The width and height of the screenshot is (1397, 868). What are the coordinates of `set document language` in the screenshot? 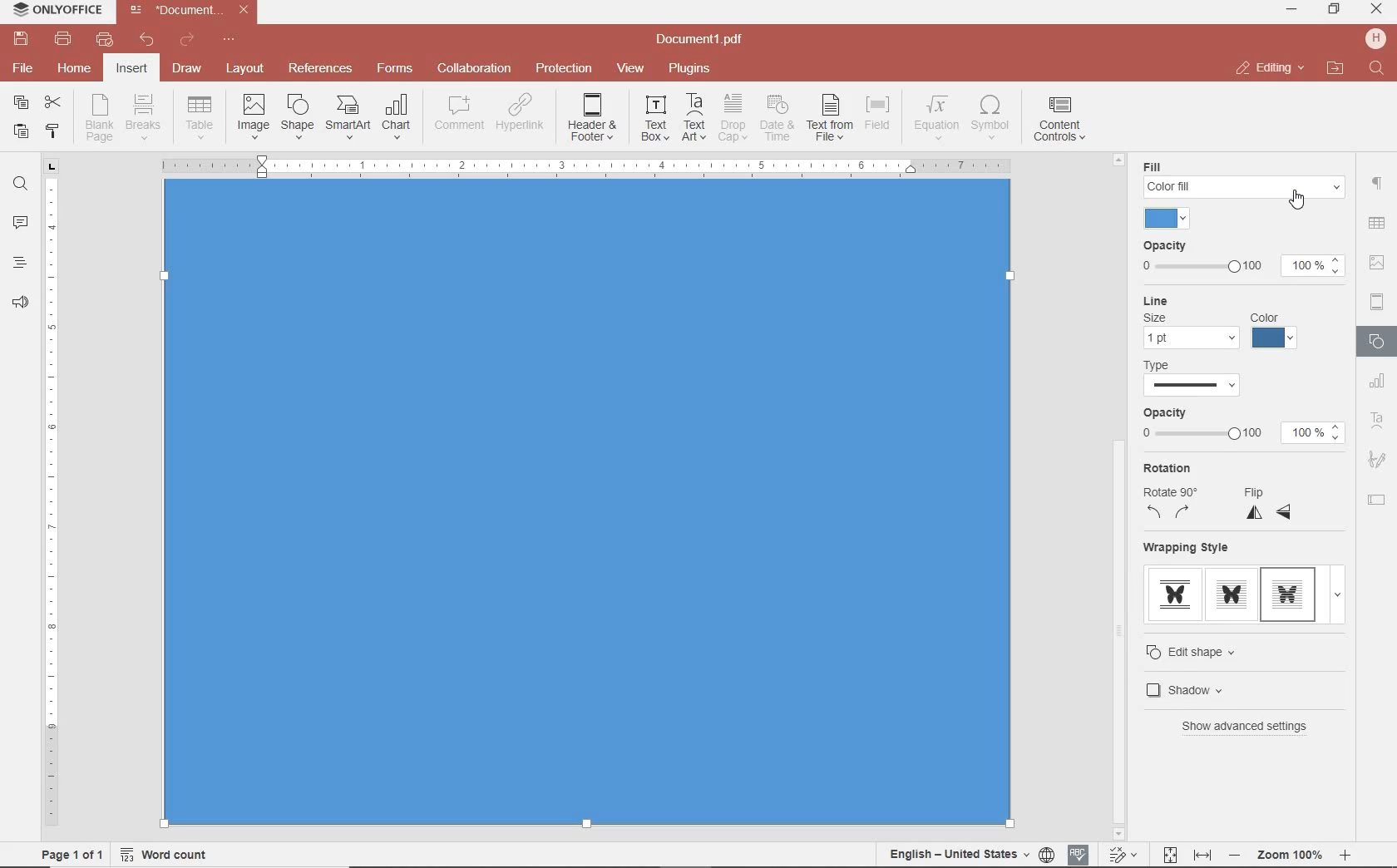 It's located at (970, 854).